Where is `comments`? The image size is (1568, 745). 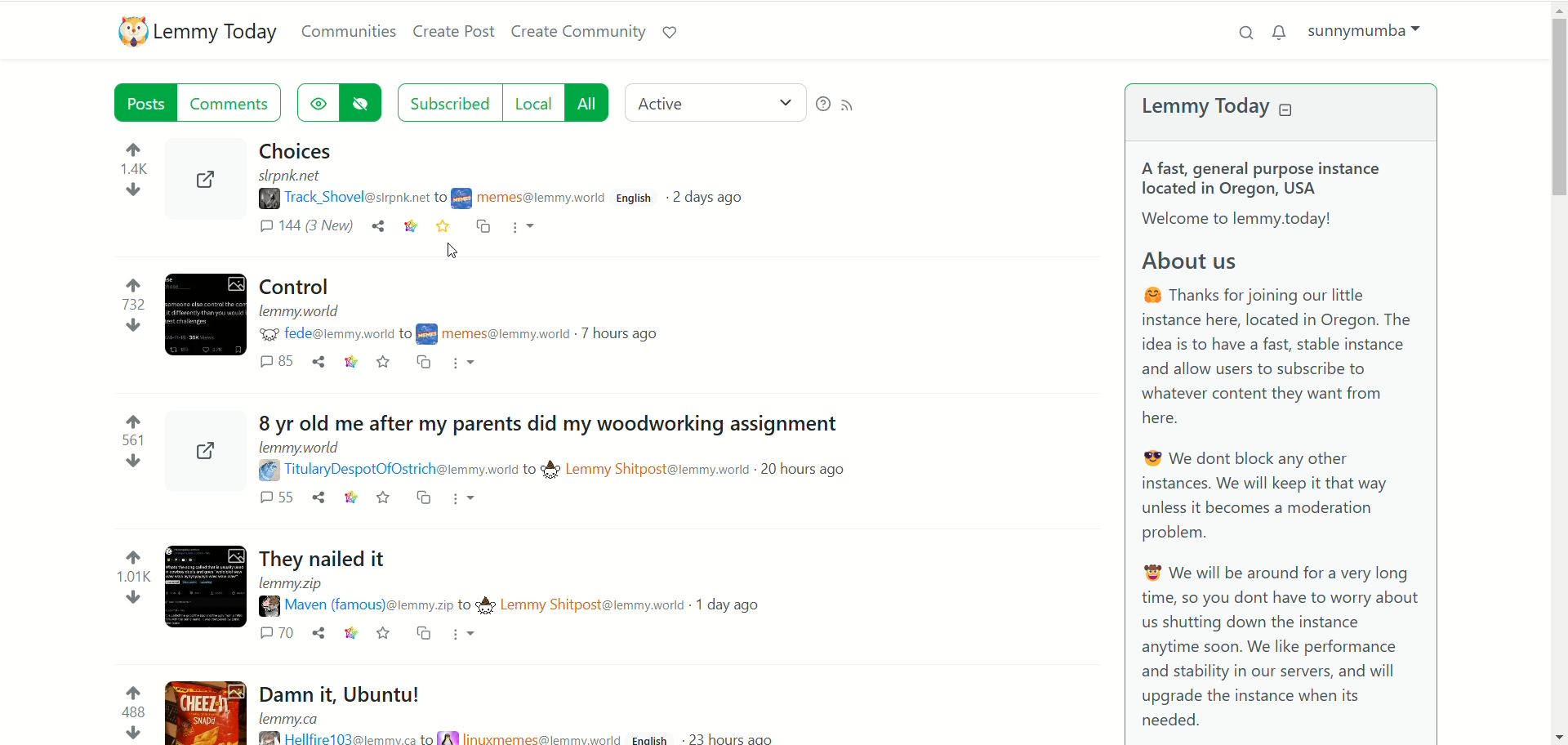 comments is located at coordinates (283, 363).